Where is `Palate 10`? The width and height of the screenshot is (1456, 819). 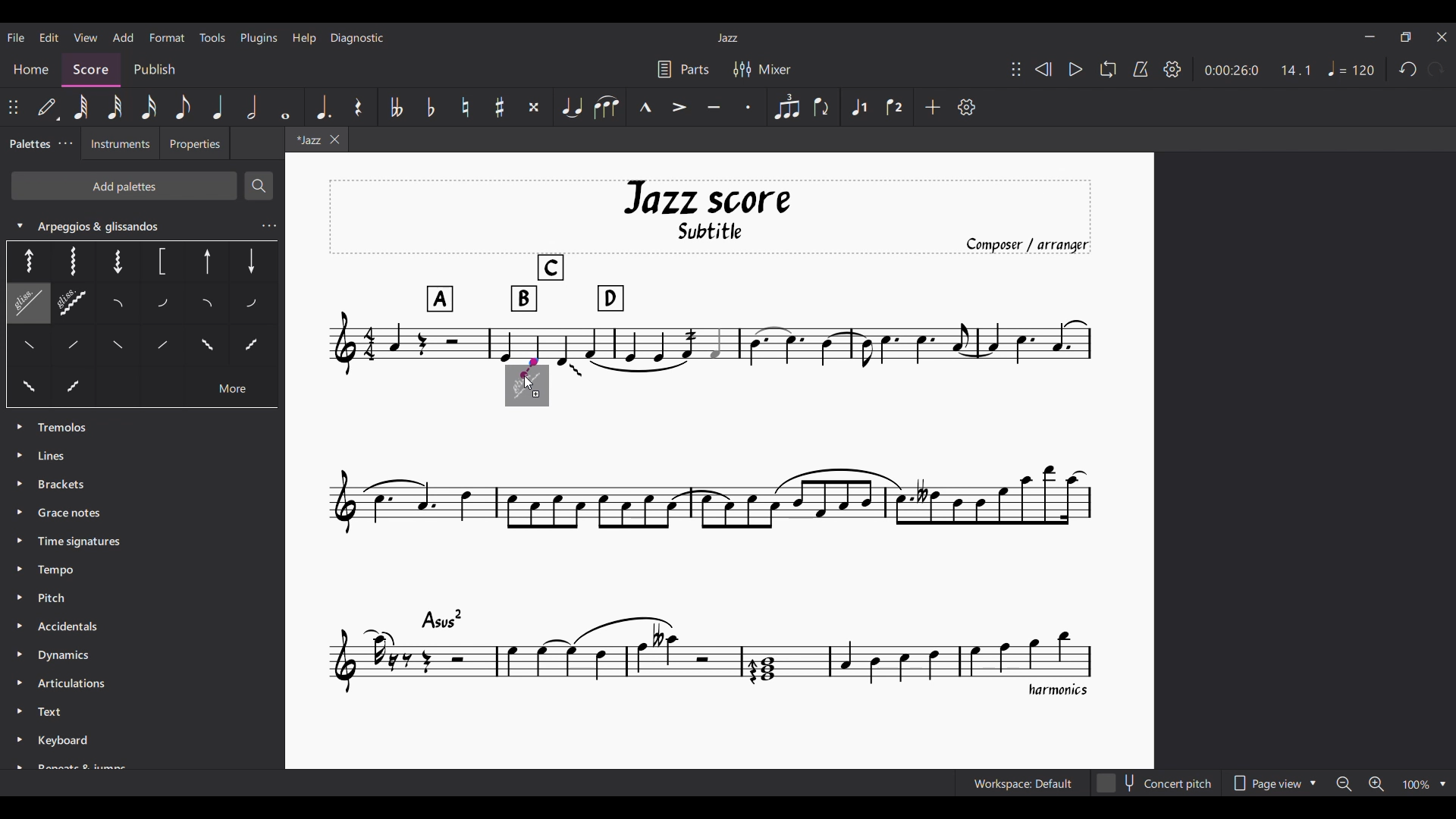
Palate 10 is located at coordinates (165, 305).